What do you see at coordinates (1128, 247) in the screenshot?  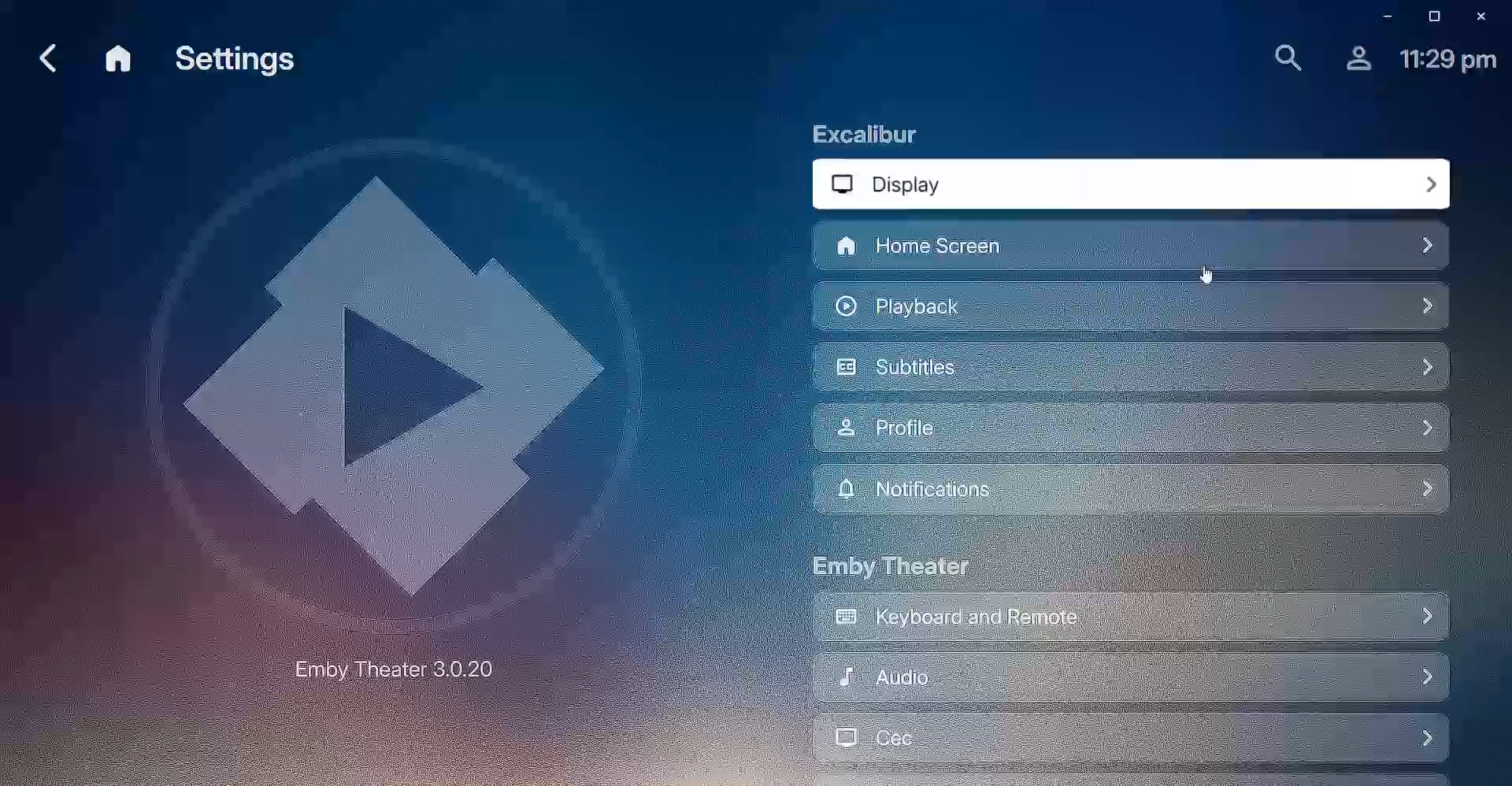 I see `Home Screen` at bounding box center [1128, 247].